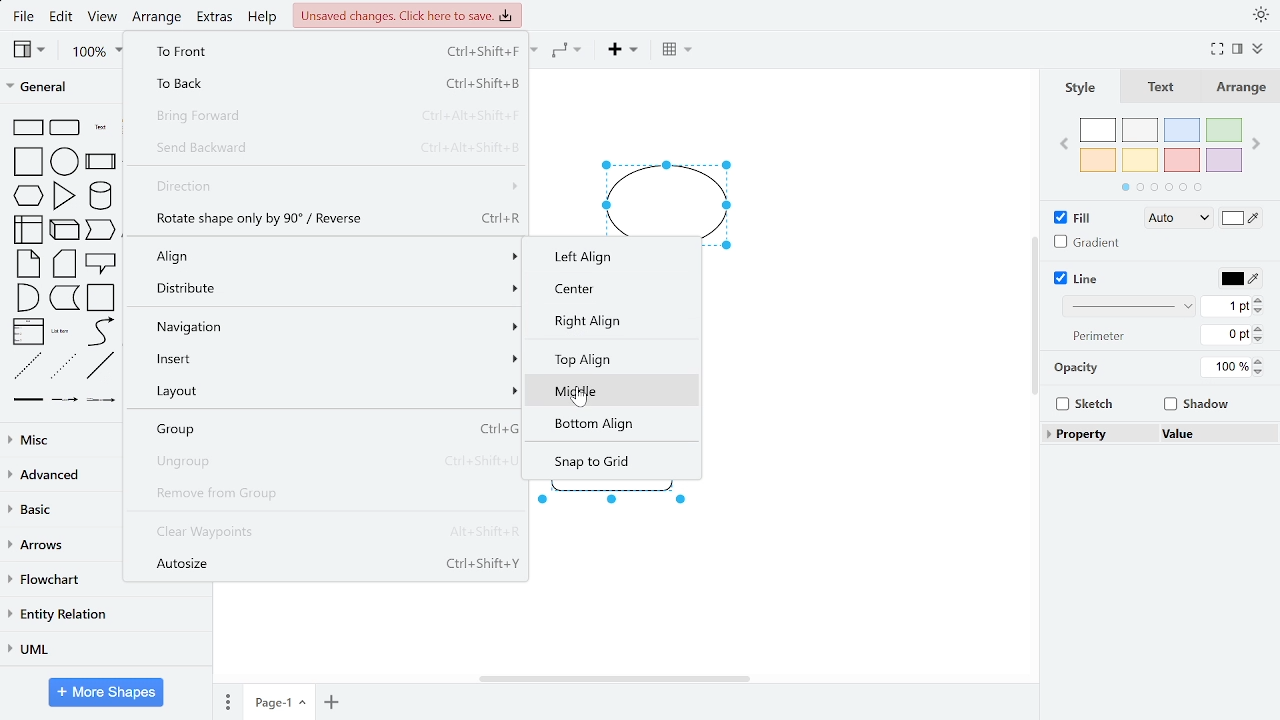 The width and height of the screenshot is (1280, 720). I want to click on more shapes, so click(108, 692).